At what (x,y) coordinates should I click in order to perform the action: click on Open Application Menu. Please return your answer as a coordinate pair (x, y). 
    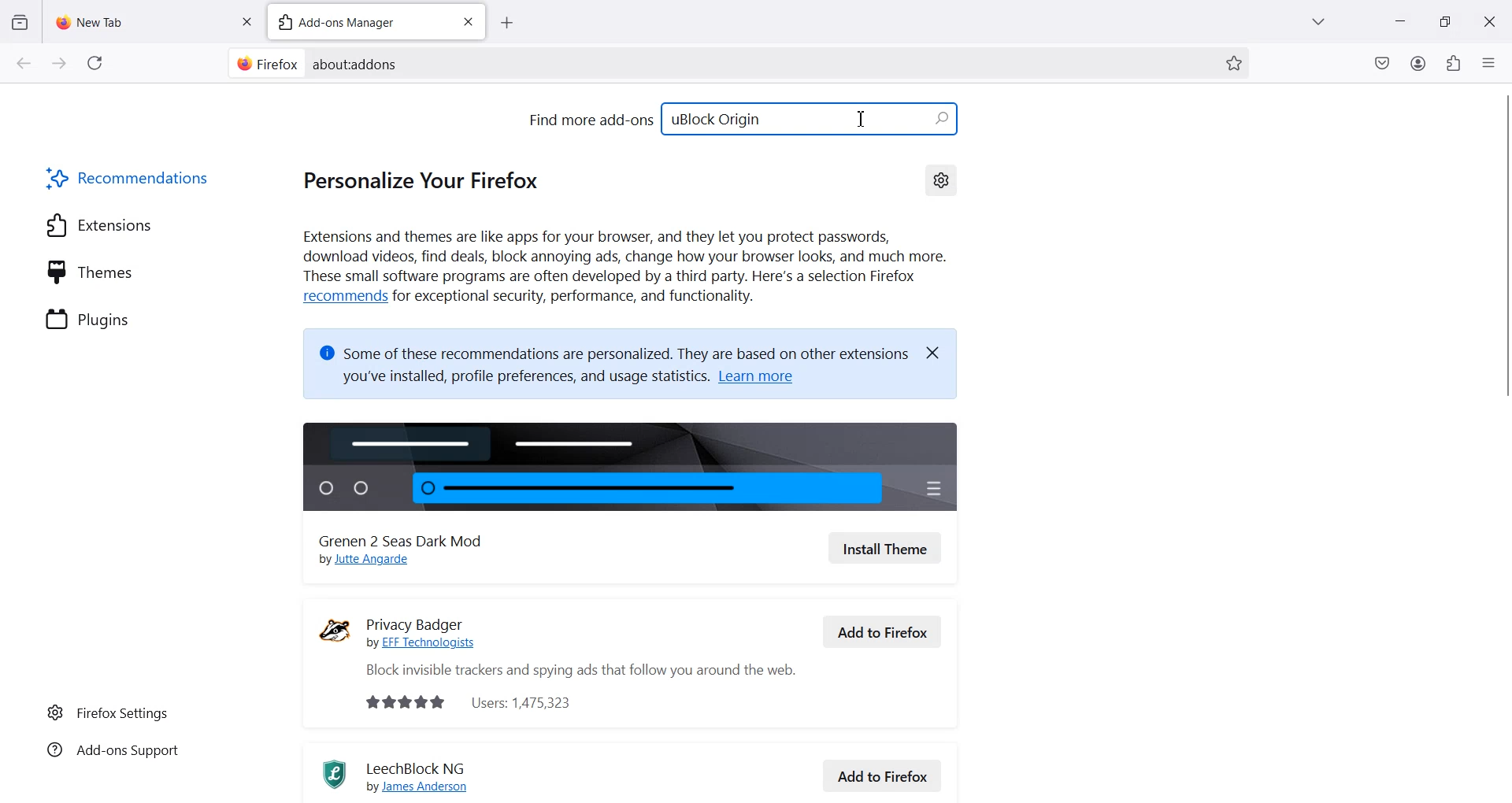
    Looking at the image, I should click on (1490, 59).